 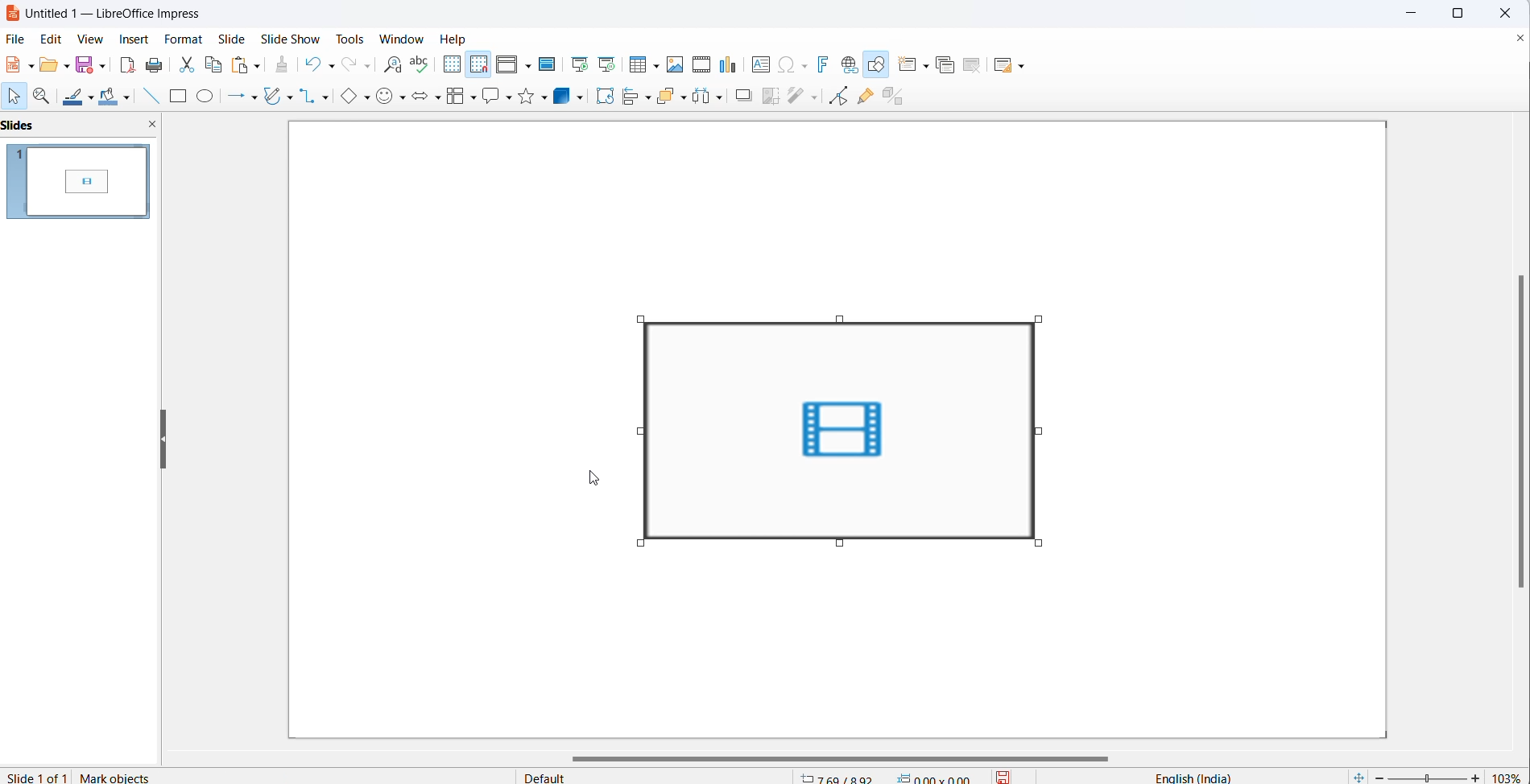 What do you see at coordinates (677, 67) in the screenshot?
I see `insert images` at bounding box center [677, 67].